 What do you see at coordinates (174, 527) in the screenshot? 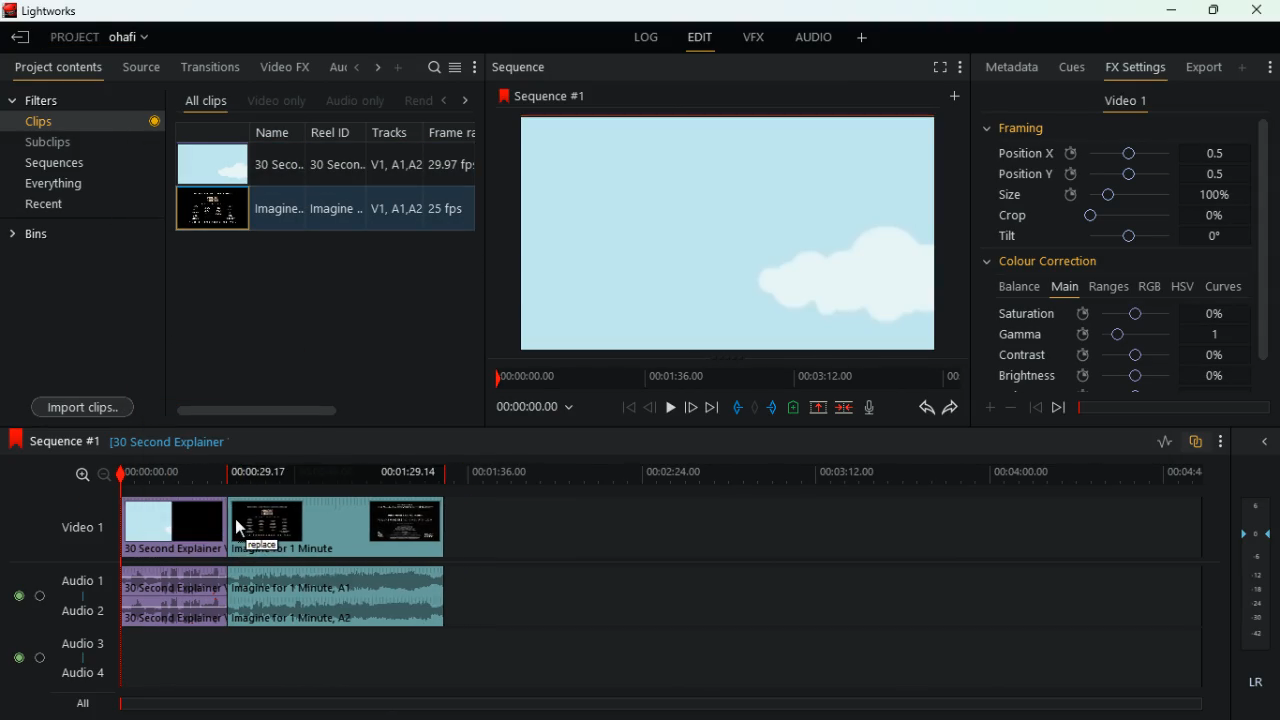
I see `video` at bounding box center [174, 527].